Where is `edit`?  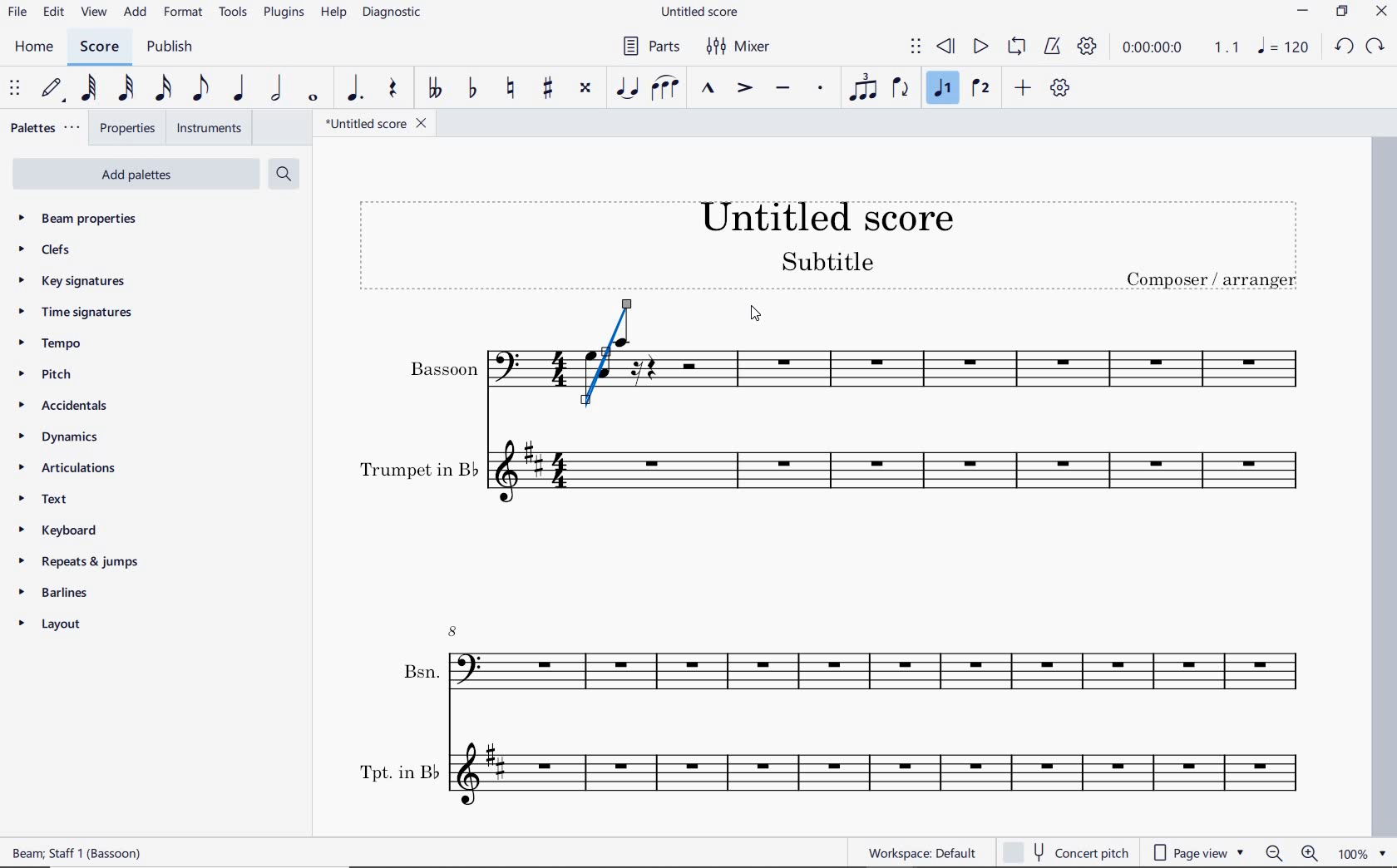 edit is located at coordinates (53, 14).